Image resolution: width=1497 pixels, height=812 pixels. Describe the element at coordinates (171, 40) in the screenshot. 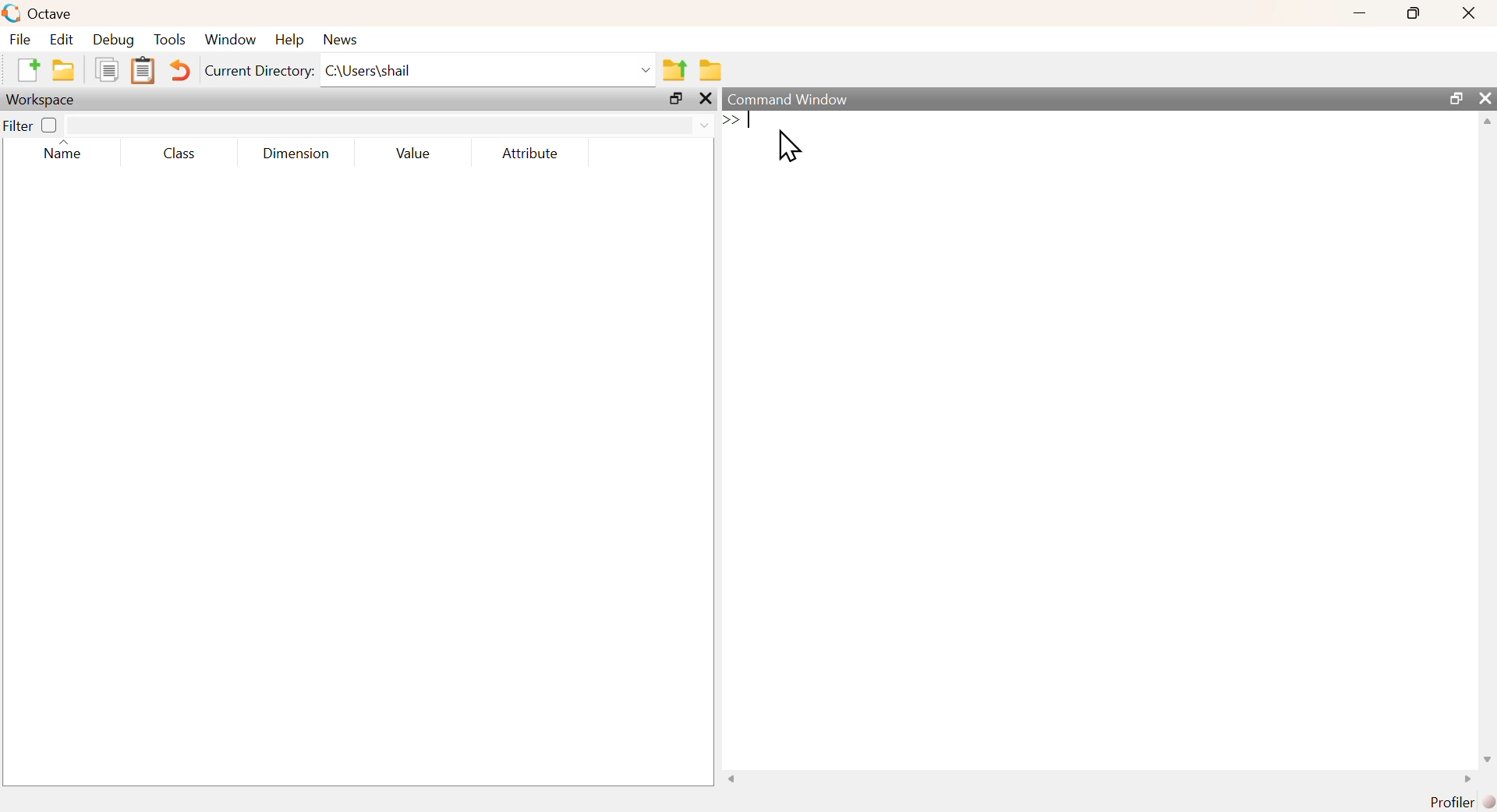

I see `Tools` at that location.